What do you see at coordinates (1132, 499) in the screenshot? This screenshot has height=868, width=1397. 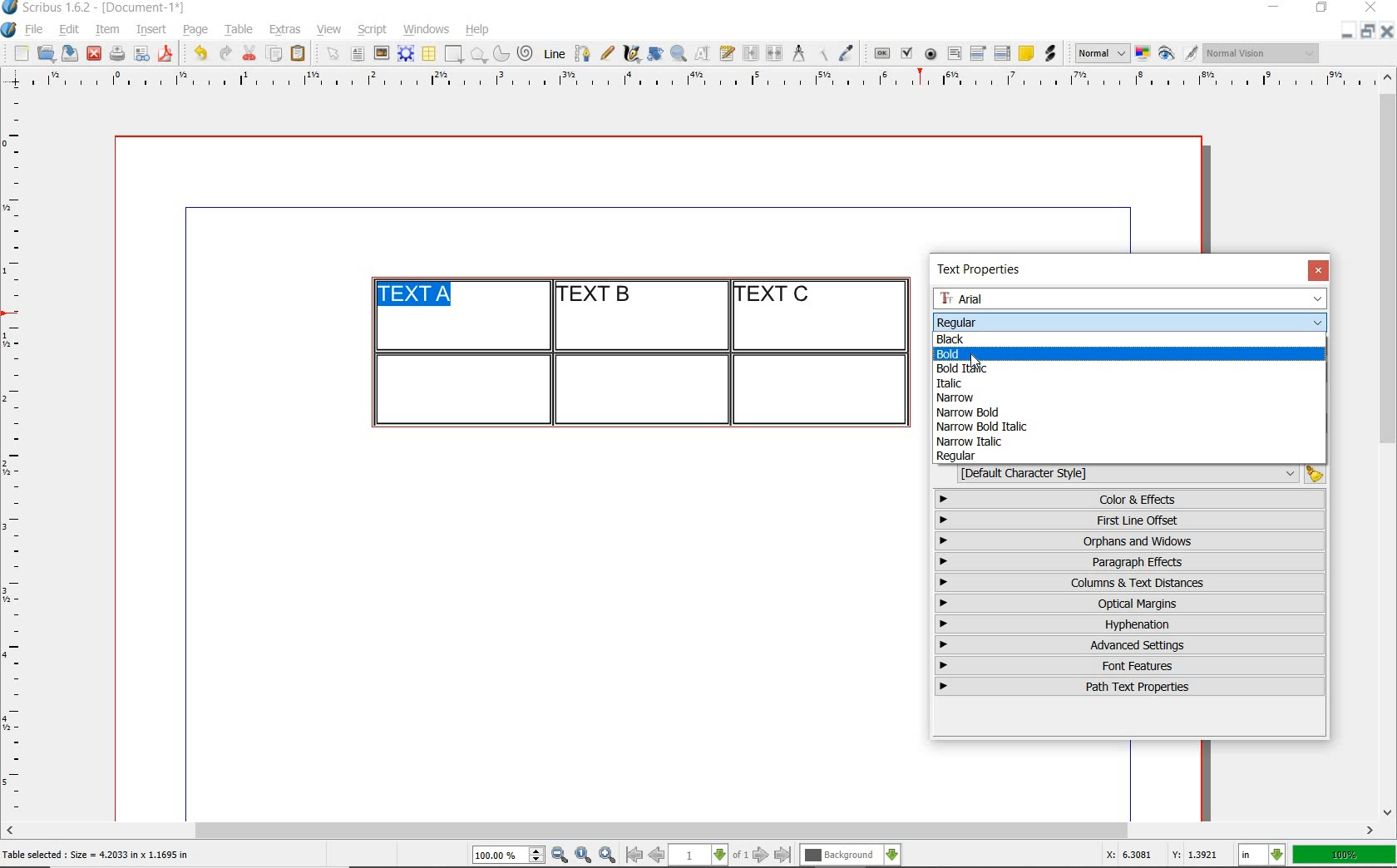 I see `color & effects` at bounding box center [1132, 499].